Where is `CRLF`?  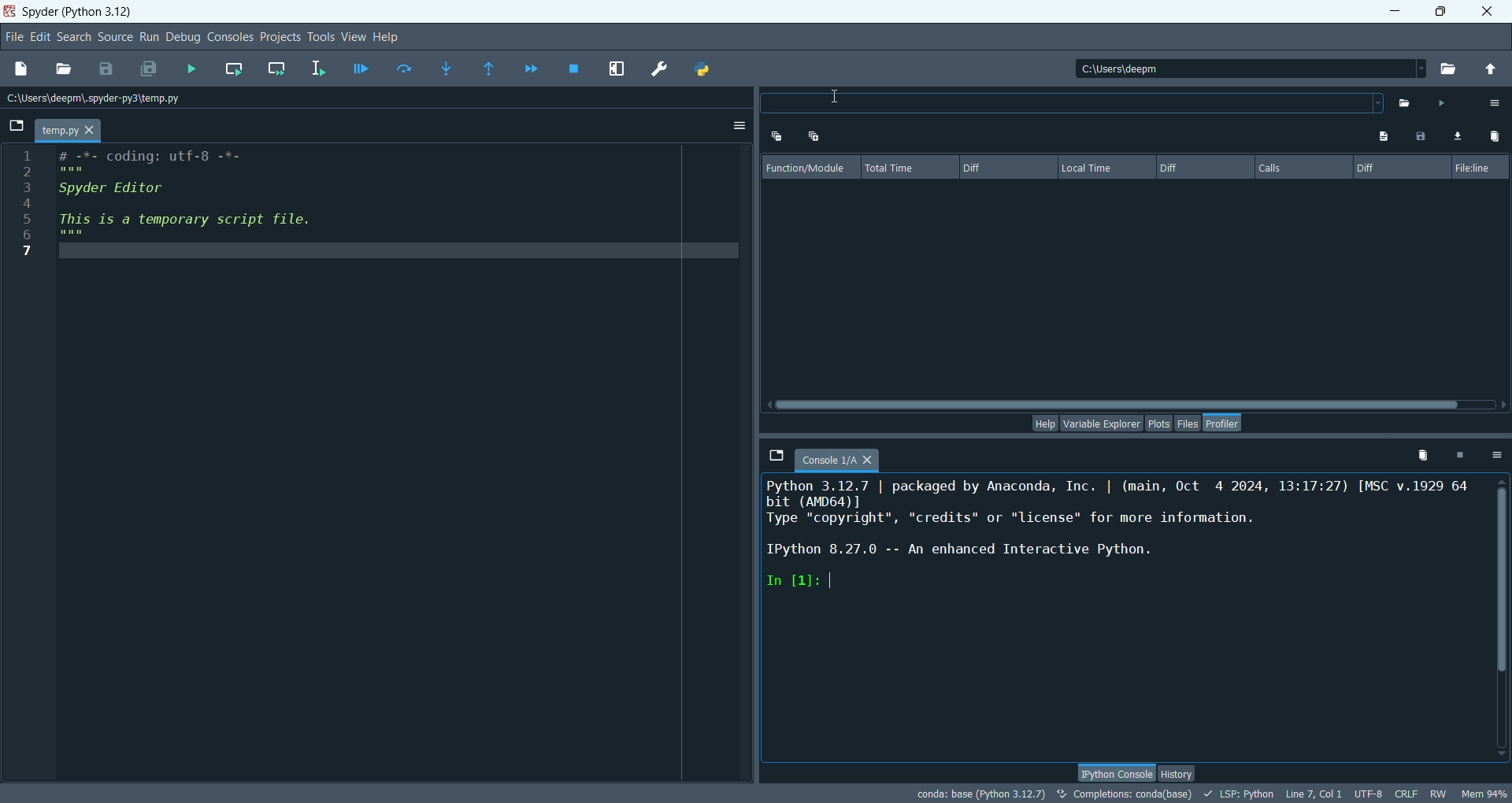
CRLF is located at coordinates (1409, 794).